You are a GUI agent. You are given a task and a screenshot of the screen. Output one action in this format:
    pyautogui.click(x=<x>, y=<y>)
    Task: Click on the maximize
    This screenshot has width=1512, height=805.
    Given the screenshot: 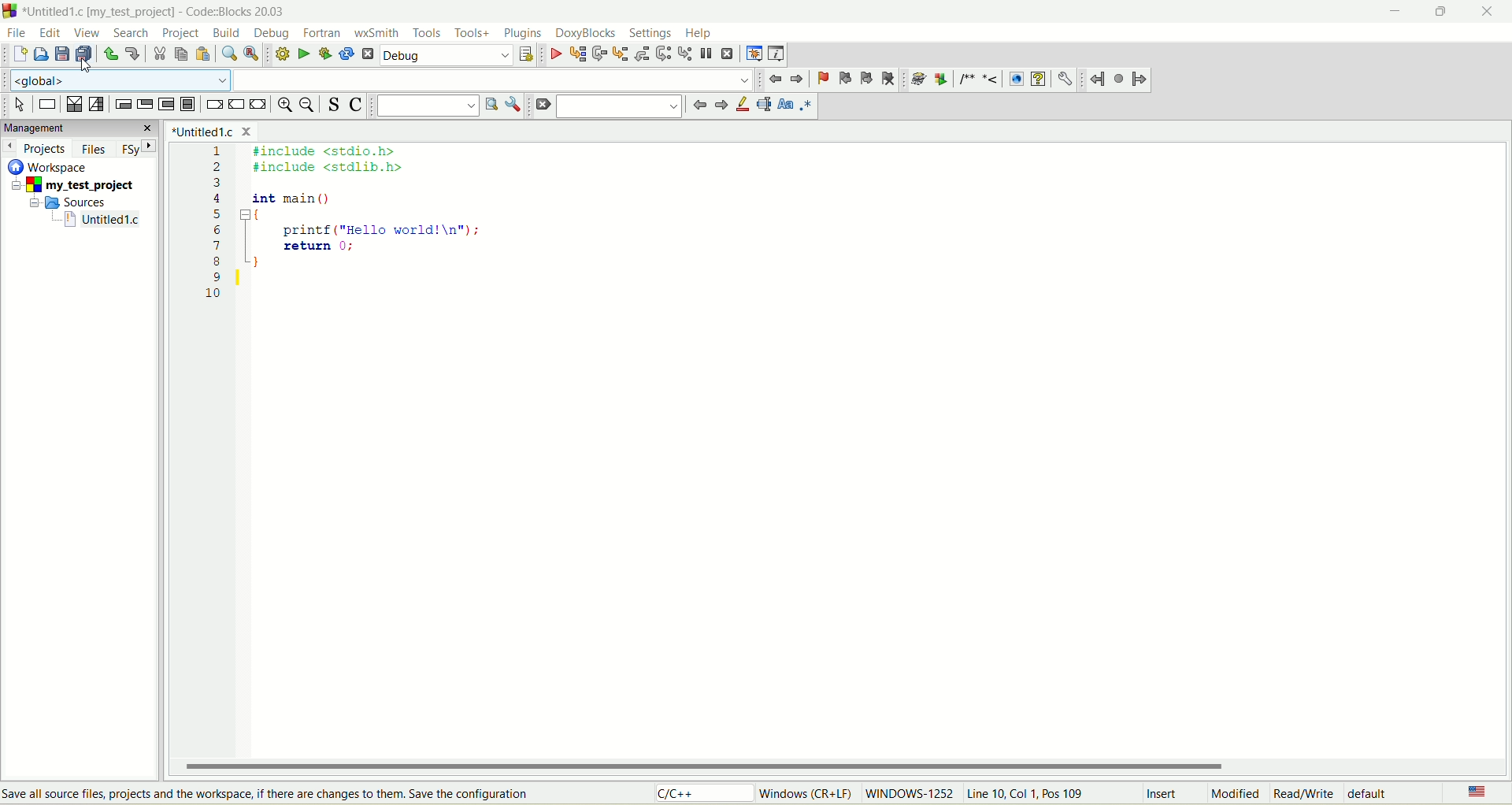 What is the action you would take?
    pyautogui.click(x=1442, y=12)
    